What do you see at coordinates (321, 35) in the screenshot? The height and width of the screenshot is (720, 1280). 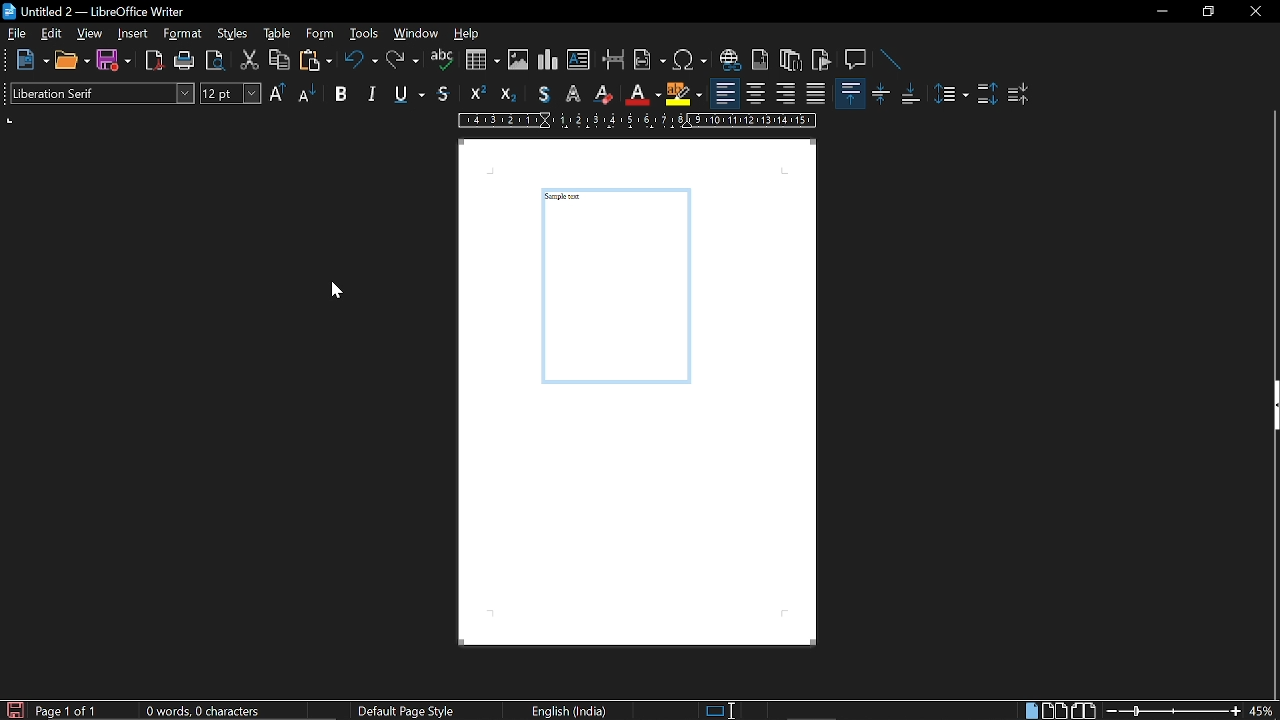 I see `form` at bounding box center [321, 35].